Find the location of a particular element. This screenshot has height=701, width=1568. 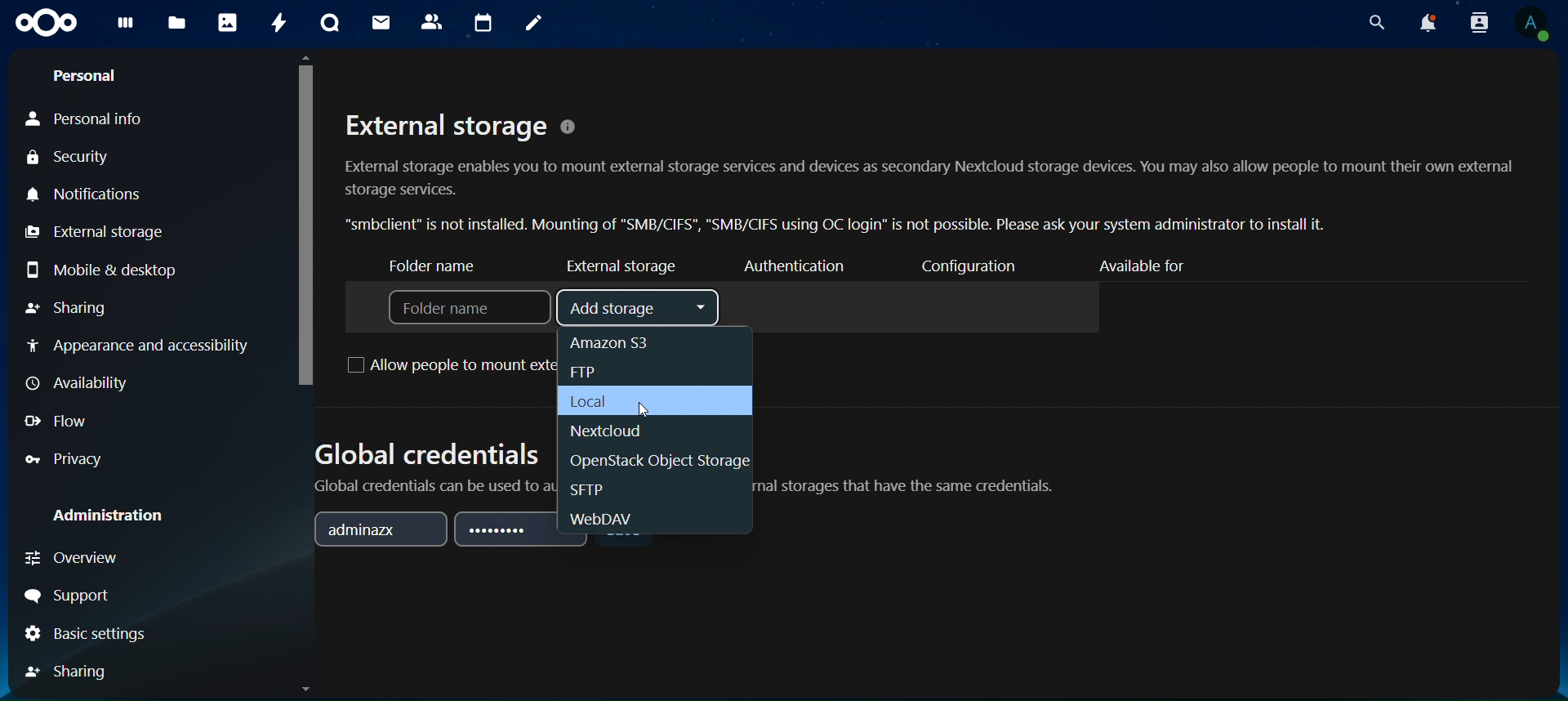

authenticator is located at coordinates (793, 266).